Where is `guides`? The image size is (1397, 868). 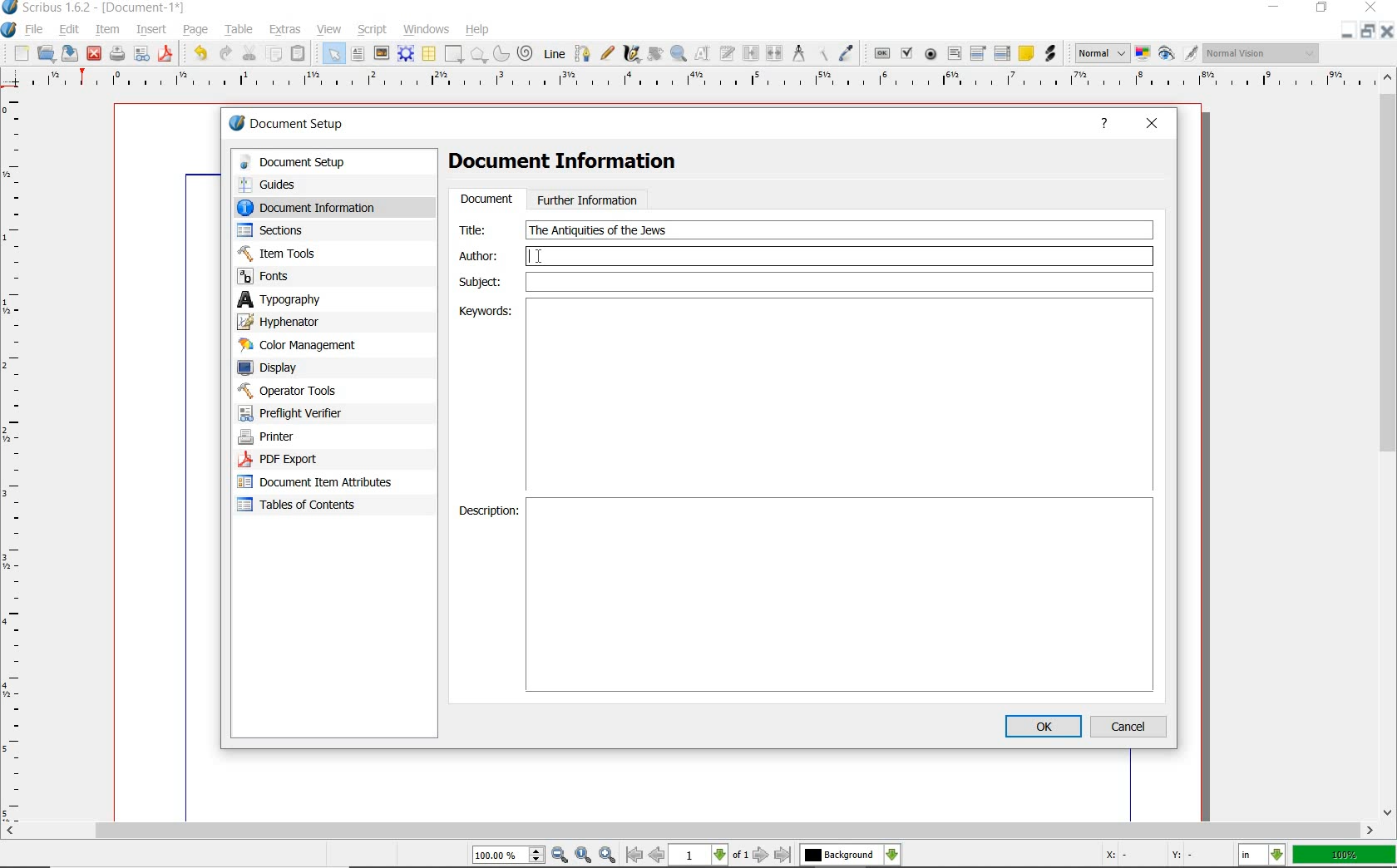
guides is located at coordinates (318, 184).